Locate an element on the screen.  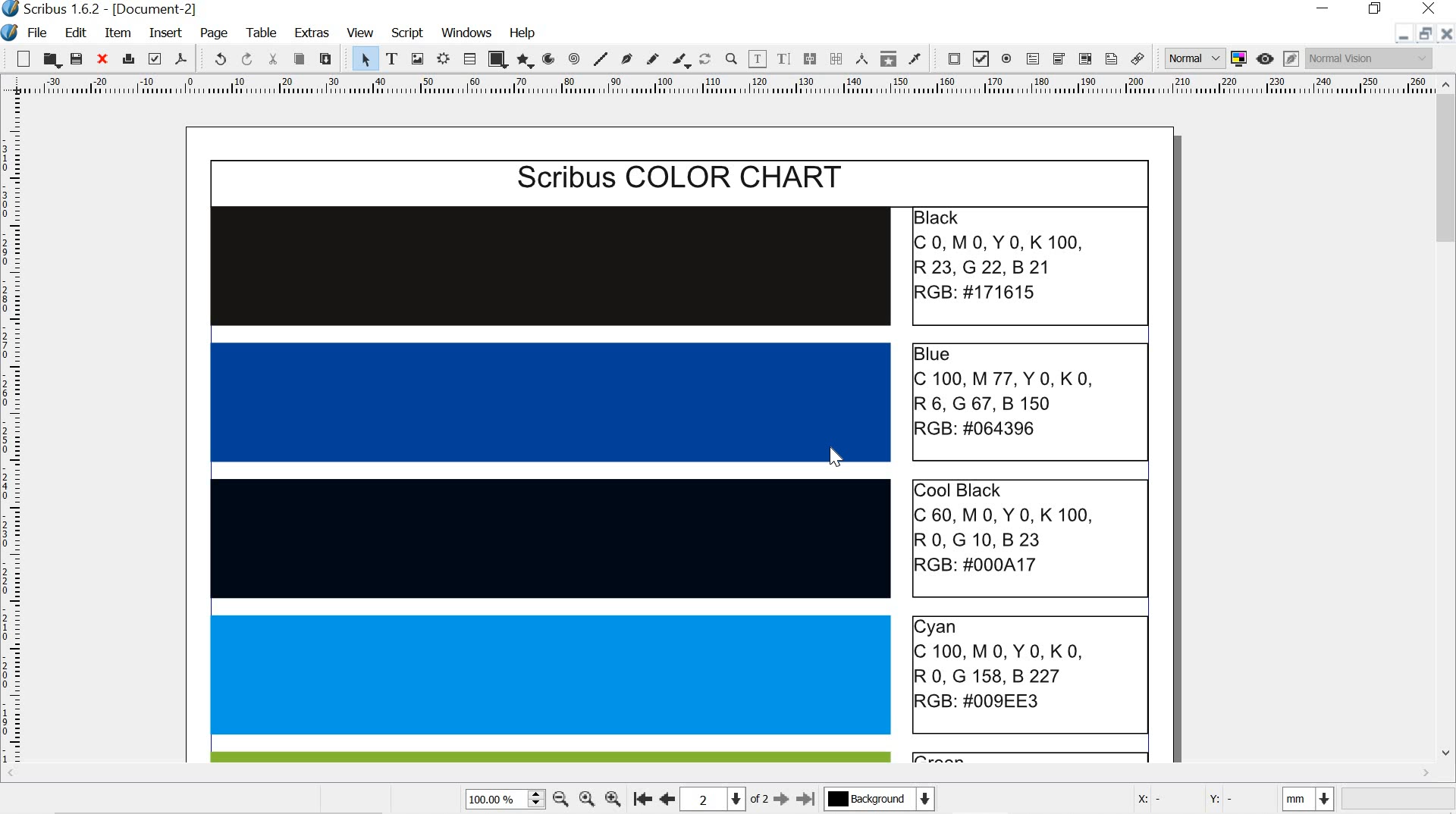
edit contents of frame is located at coordinates (757, 59).